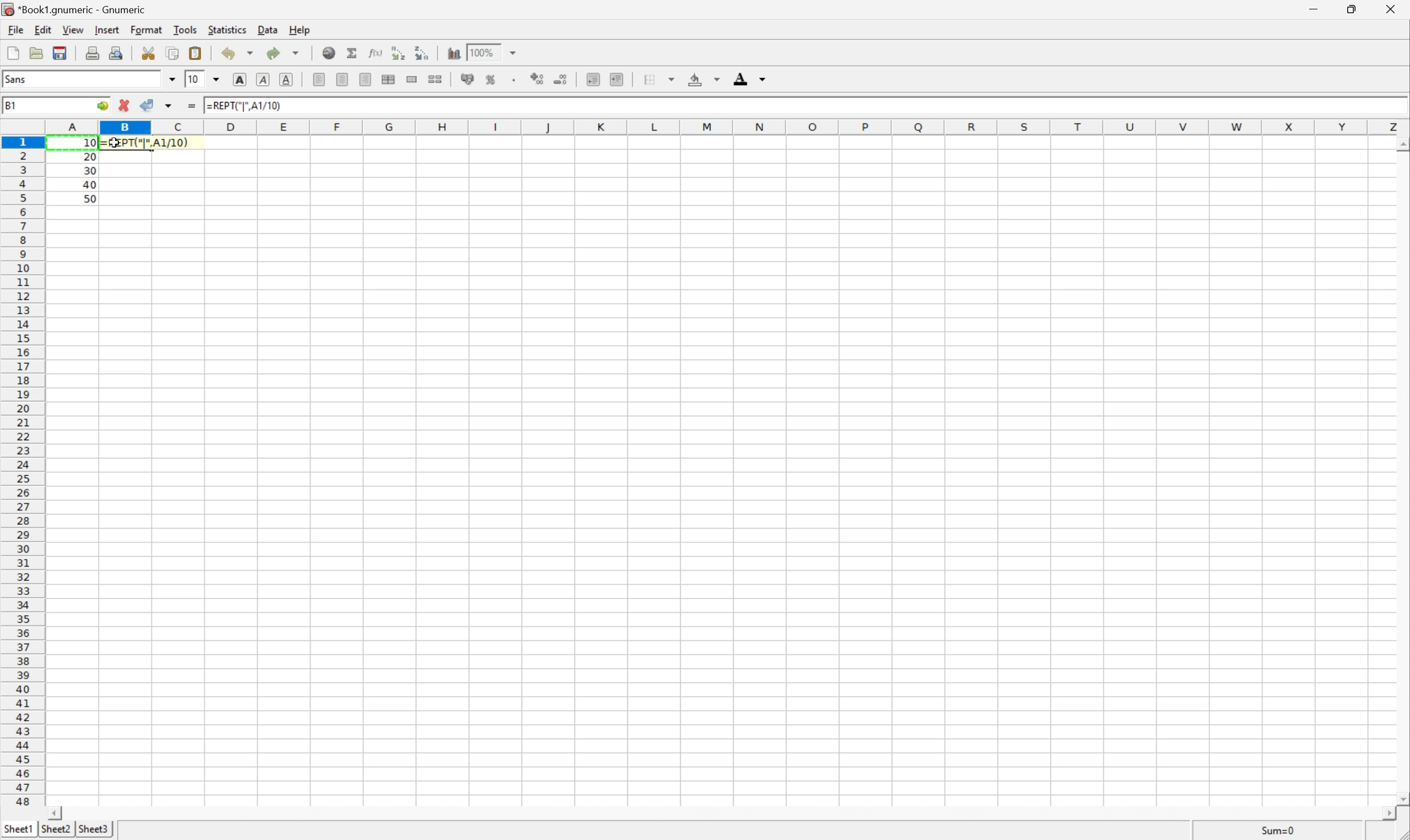 The height and width of the screenshot is (840, 1410). Describe the element at coordinates (366, 79) in the screenshot. I see `Align Right` at that location.